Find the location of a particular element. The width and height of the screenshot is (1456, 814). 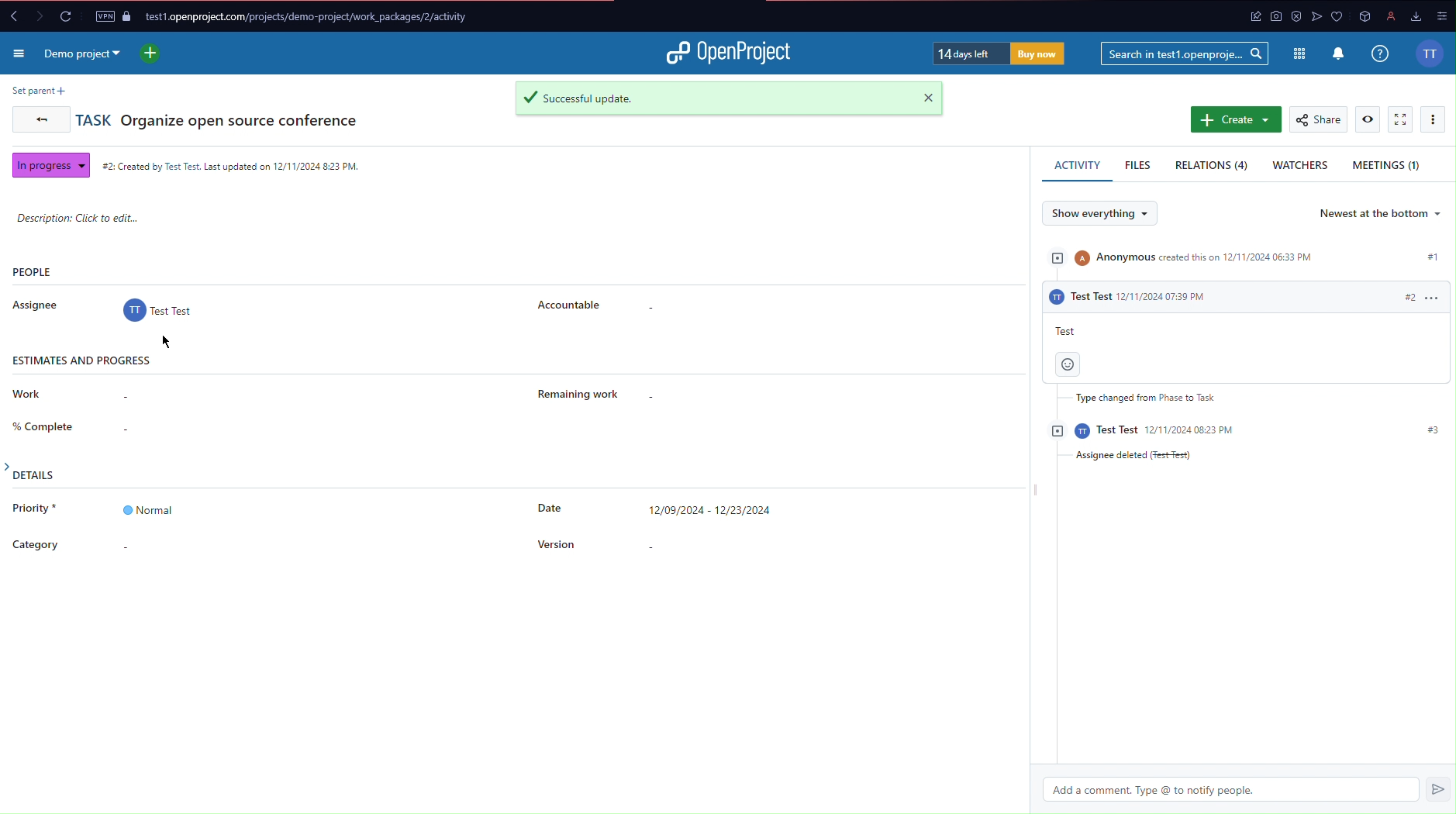

Priority is located at coordinates (91, 504).